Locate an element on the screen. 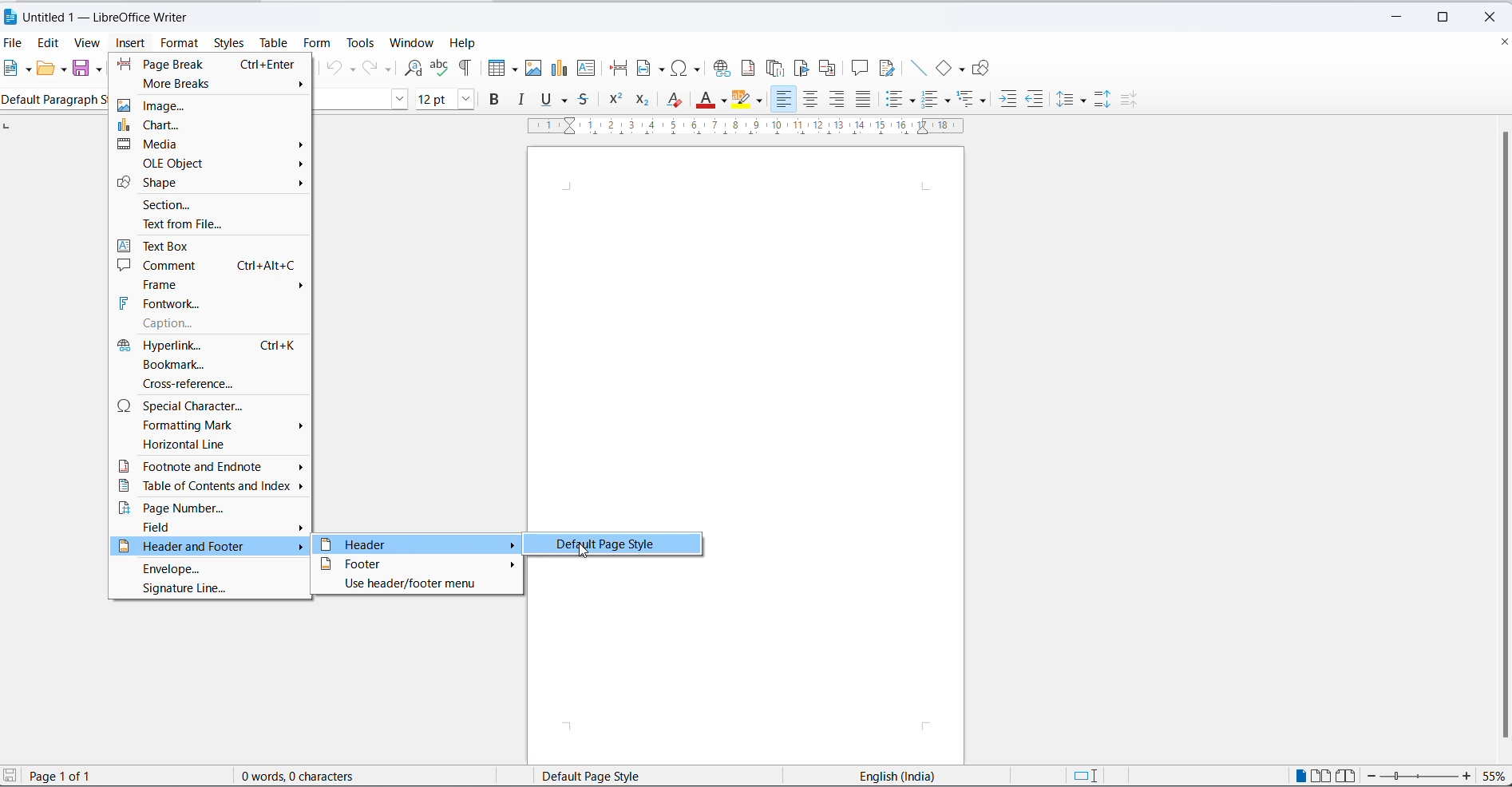  OLE Object is located at coordinates (214, 164).